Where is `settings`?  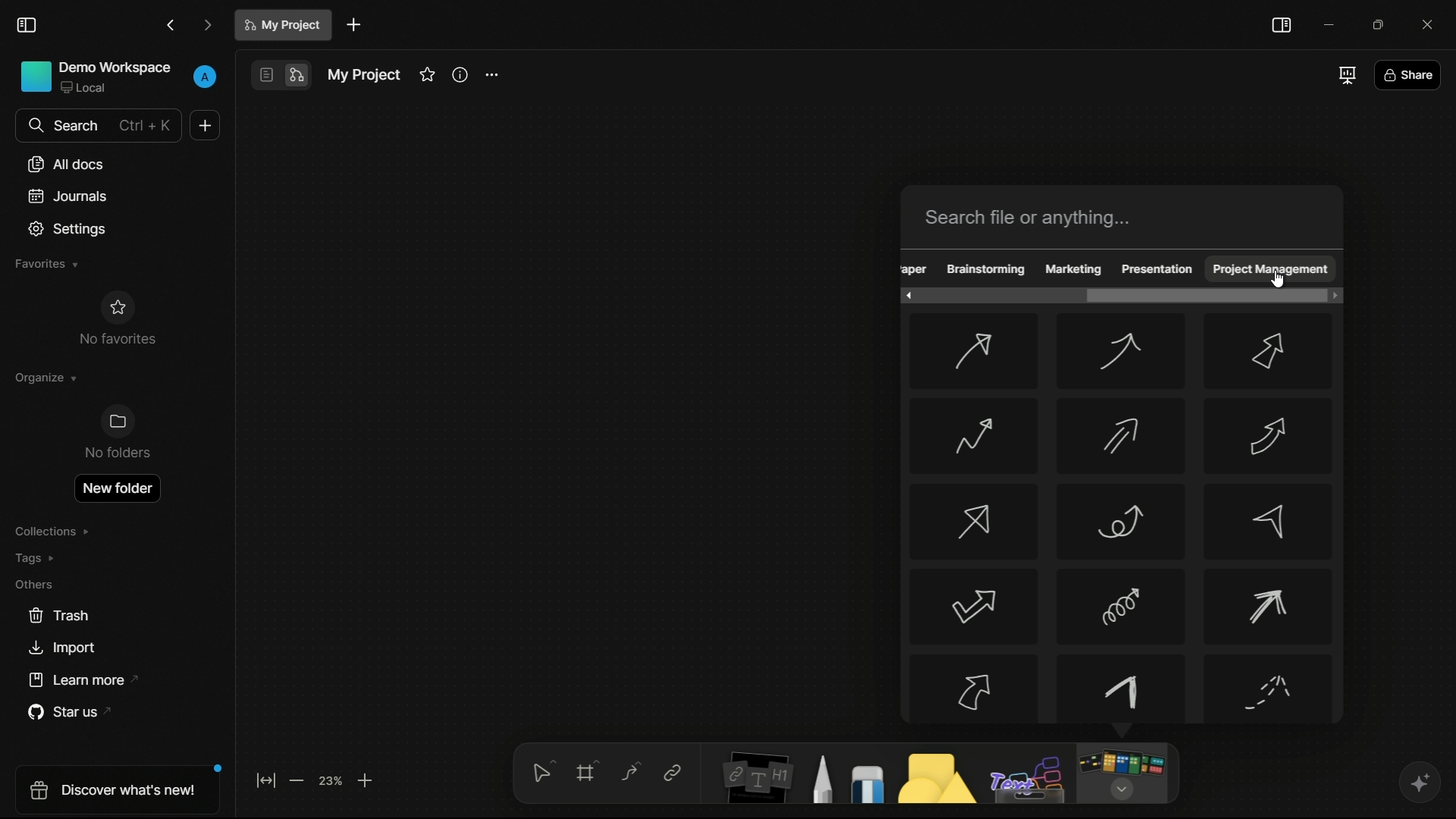 settings is located at coordinates (491, 76).